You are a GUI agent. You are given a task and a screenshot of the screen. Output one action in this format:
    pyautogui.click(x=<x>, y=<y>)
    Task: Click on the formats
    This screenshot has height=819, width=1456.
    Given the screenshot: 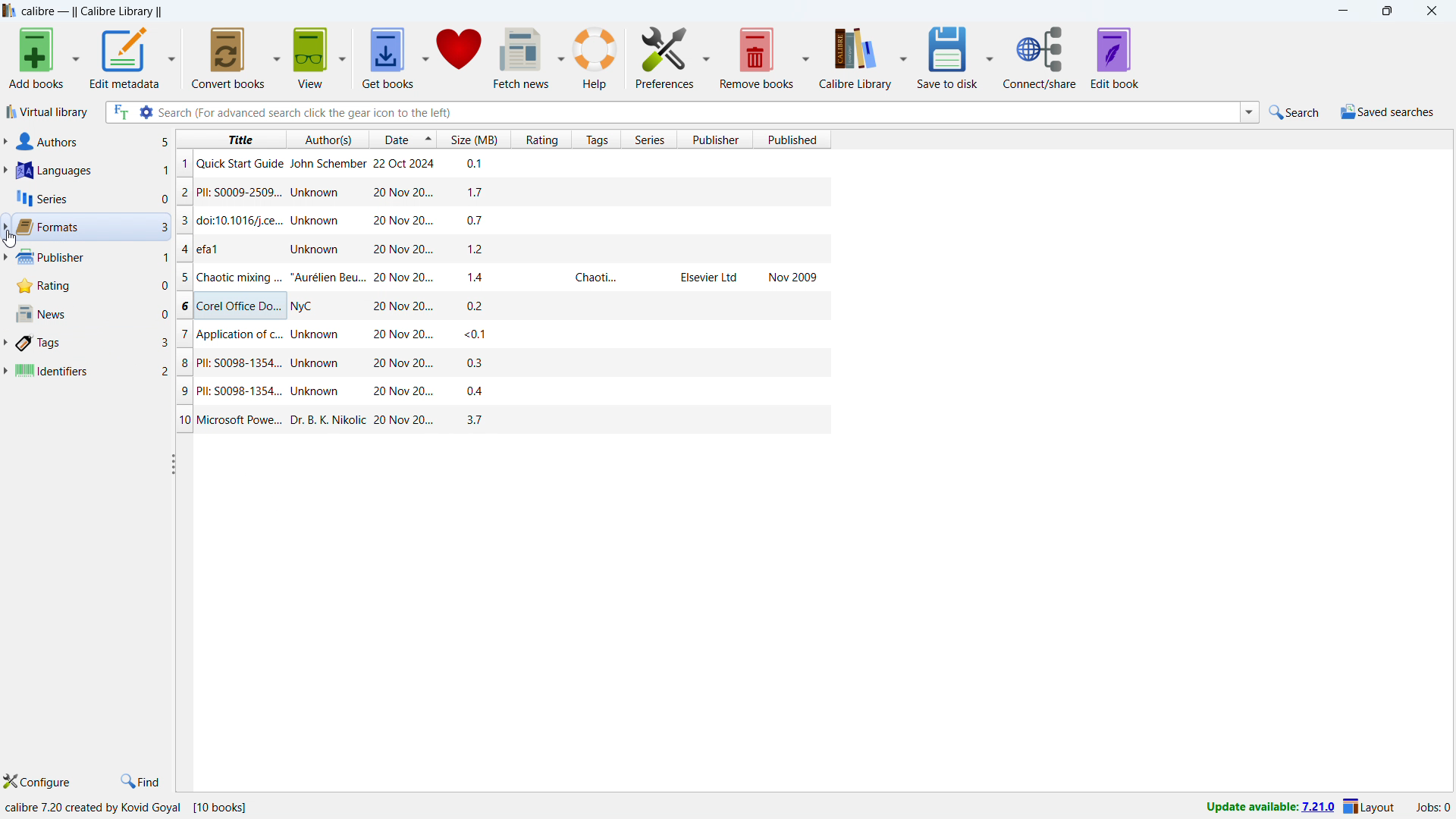 What is the action you would take?
    pyautogui.click(x=91, y=227)
    